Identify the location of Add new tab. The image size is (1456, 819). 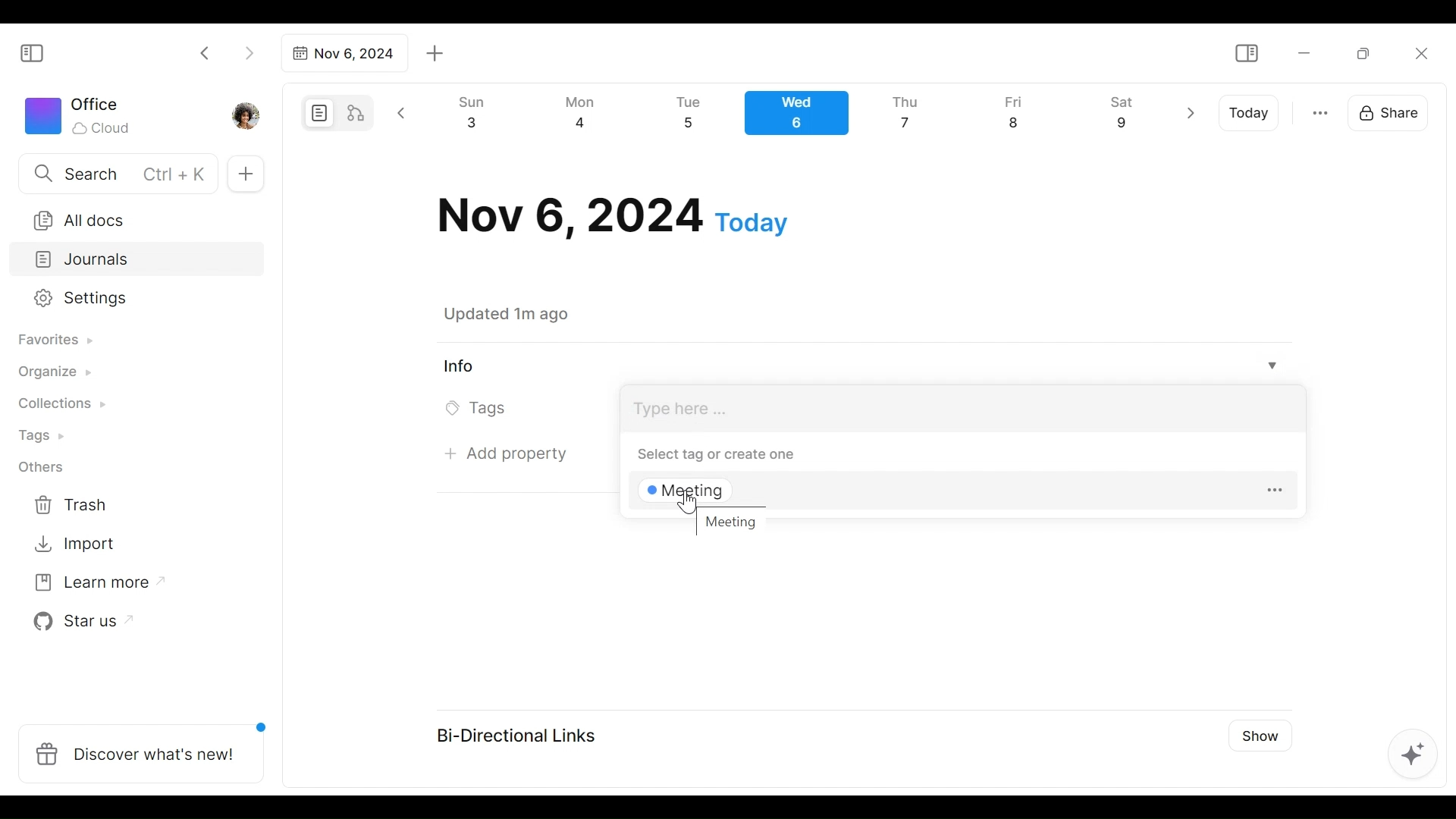
(435, 54).